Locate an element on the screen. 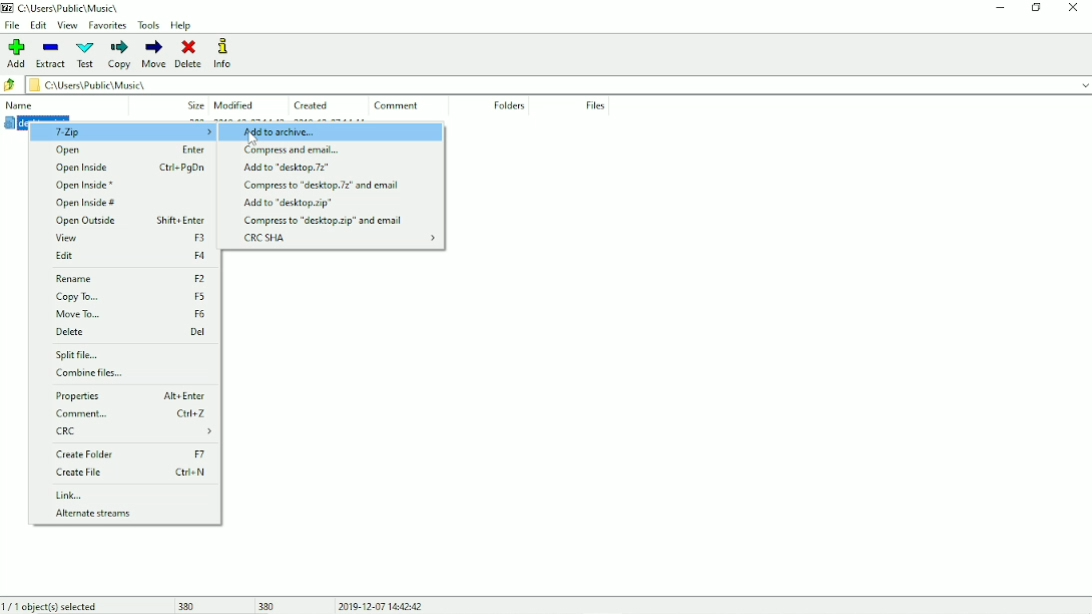 This screenshot has width=1092, height=614. Open Outside is located at coordinates (129, 222).